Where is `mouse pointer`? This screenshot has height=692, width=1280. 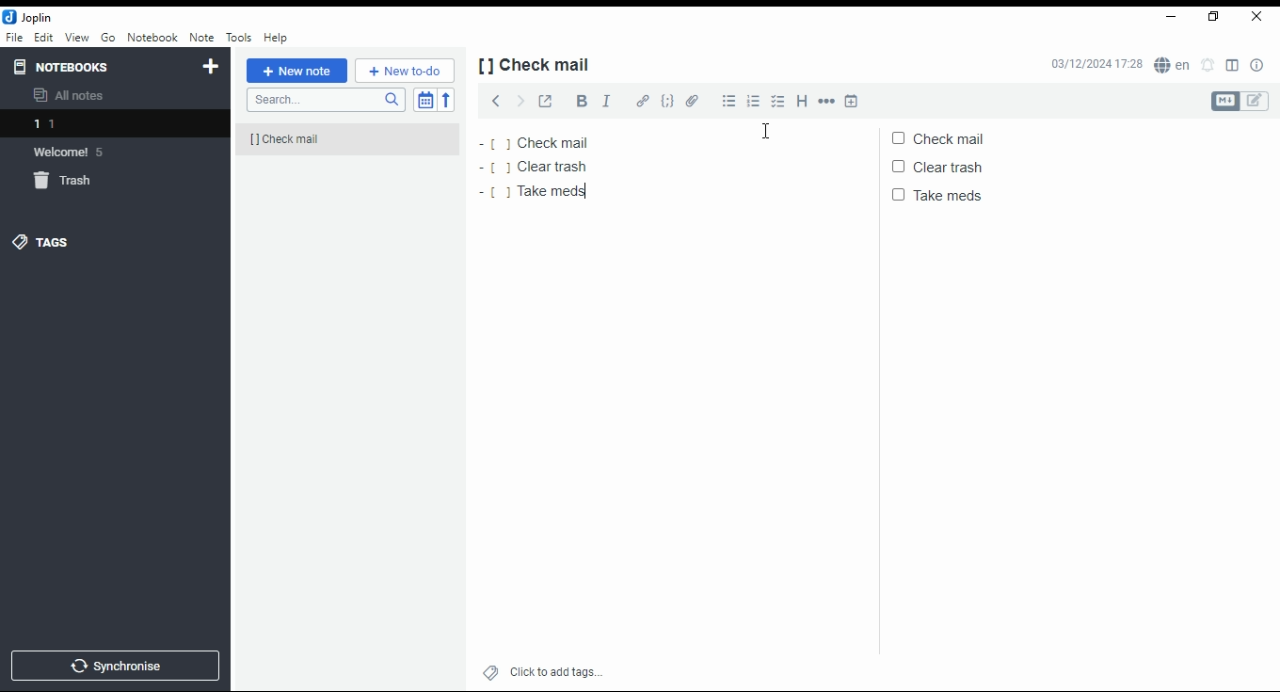 mouse pointer is located at coordinates (763, 129).